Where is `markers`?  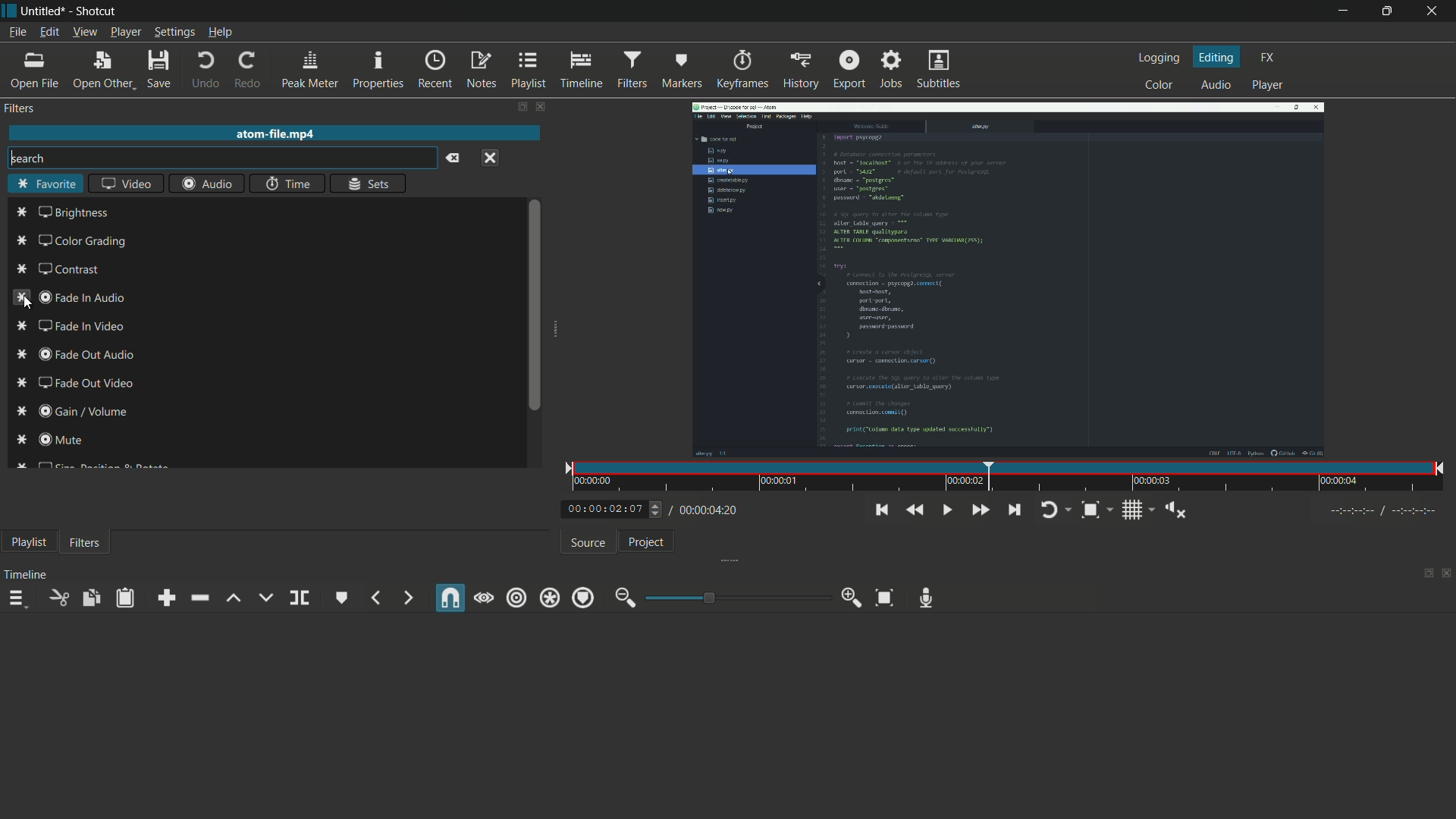
markers is located at coordinates (681, 71).